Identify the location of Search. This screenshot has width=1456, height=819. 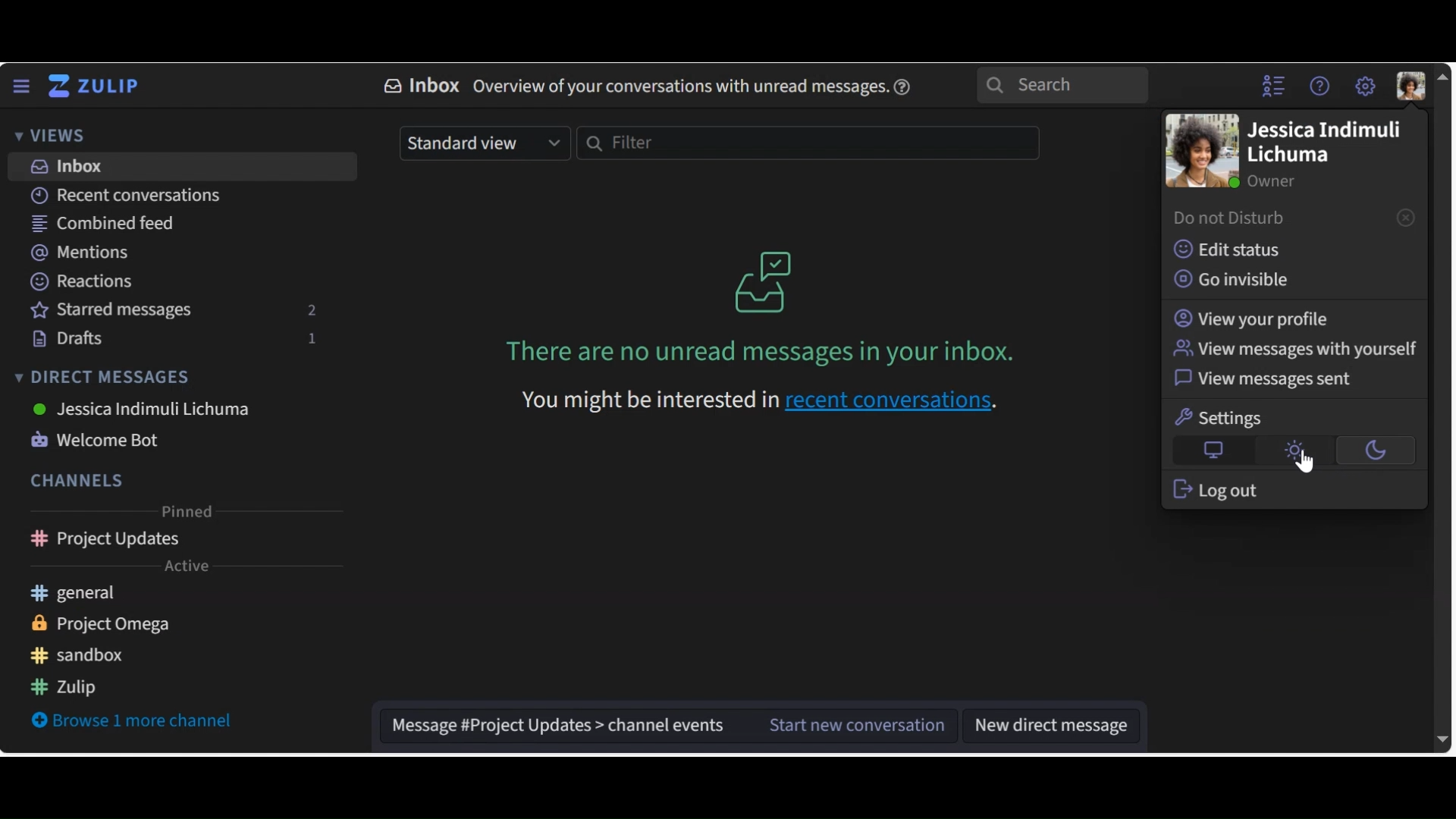
(1062, 85).